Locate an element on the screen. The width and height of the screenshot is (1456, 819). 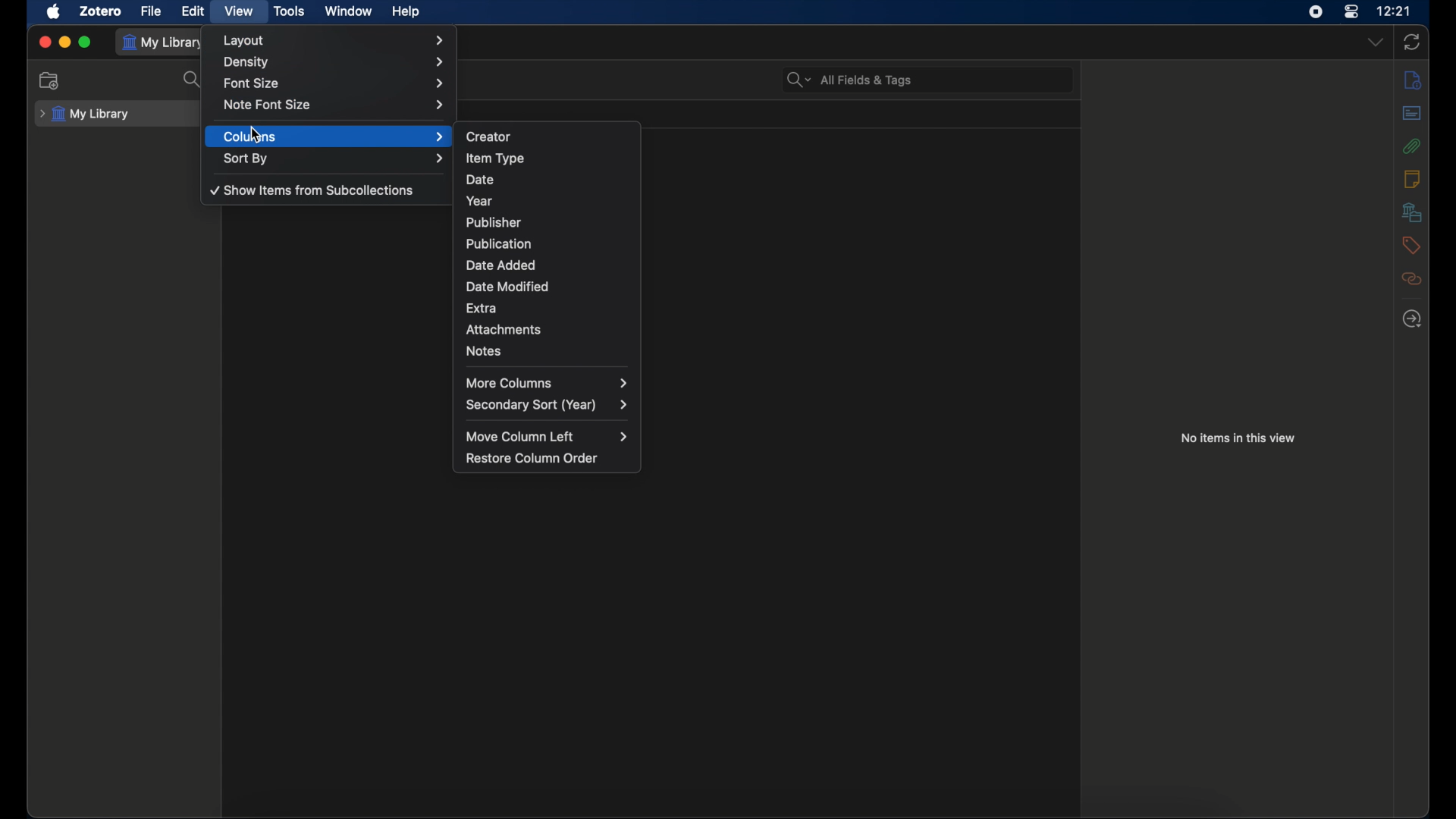
more columns is located at coordinates (547, 382).